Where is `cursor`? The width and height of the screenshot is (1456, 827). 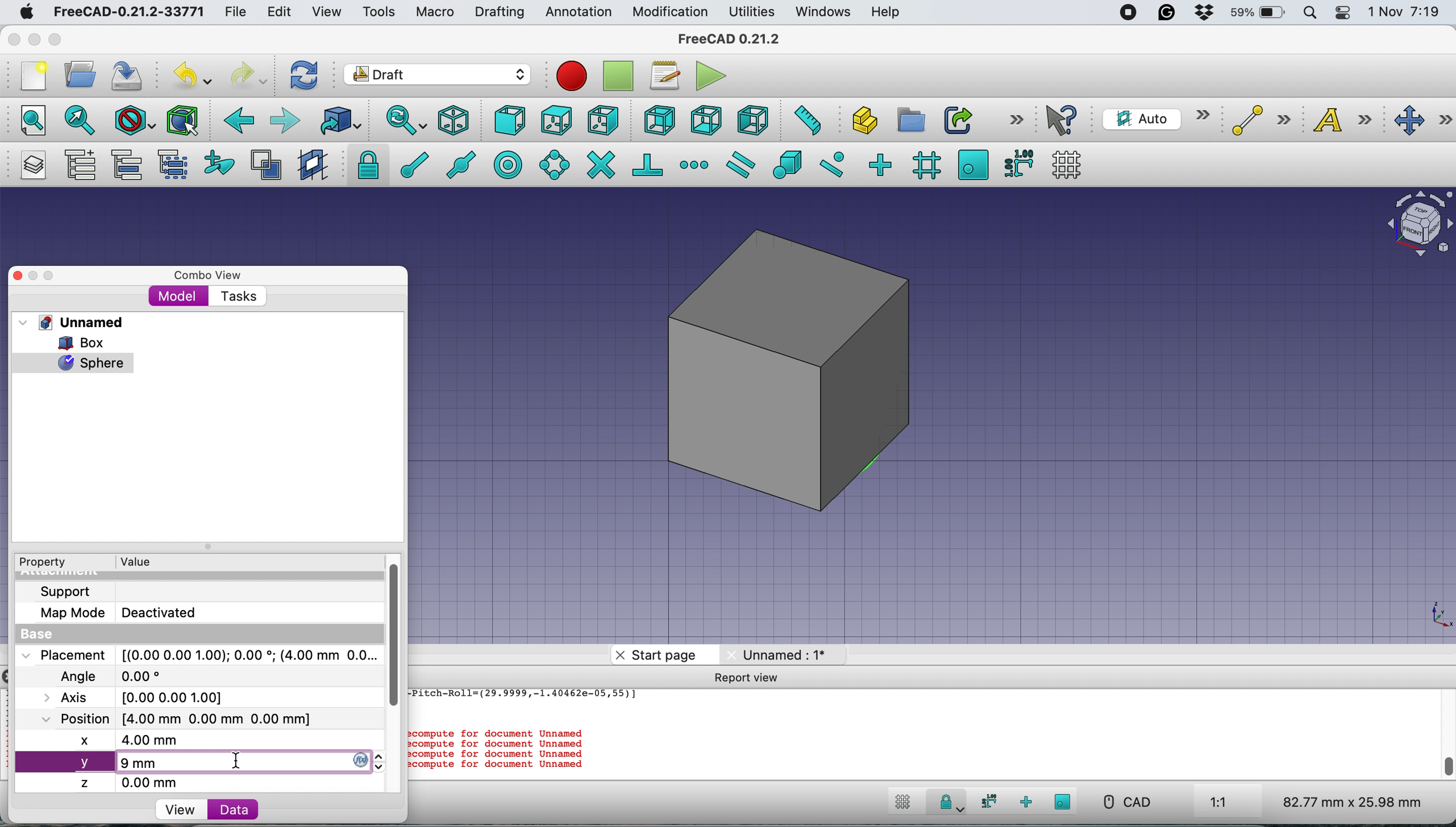 cursor is located at coordinates (242, 762).